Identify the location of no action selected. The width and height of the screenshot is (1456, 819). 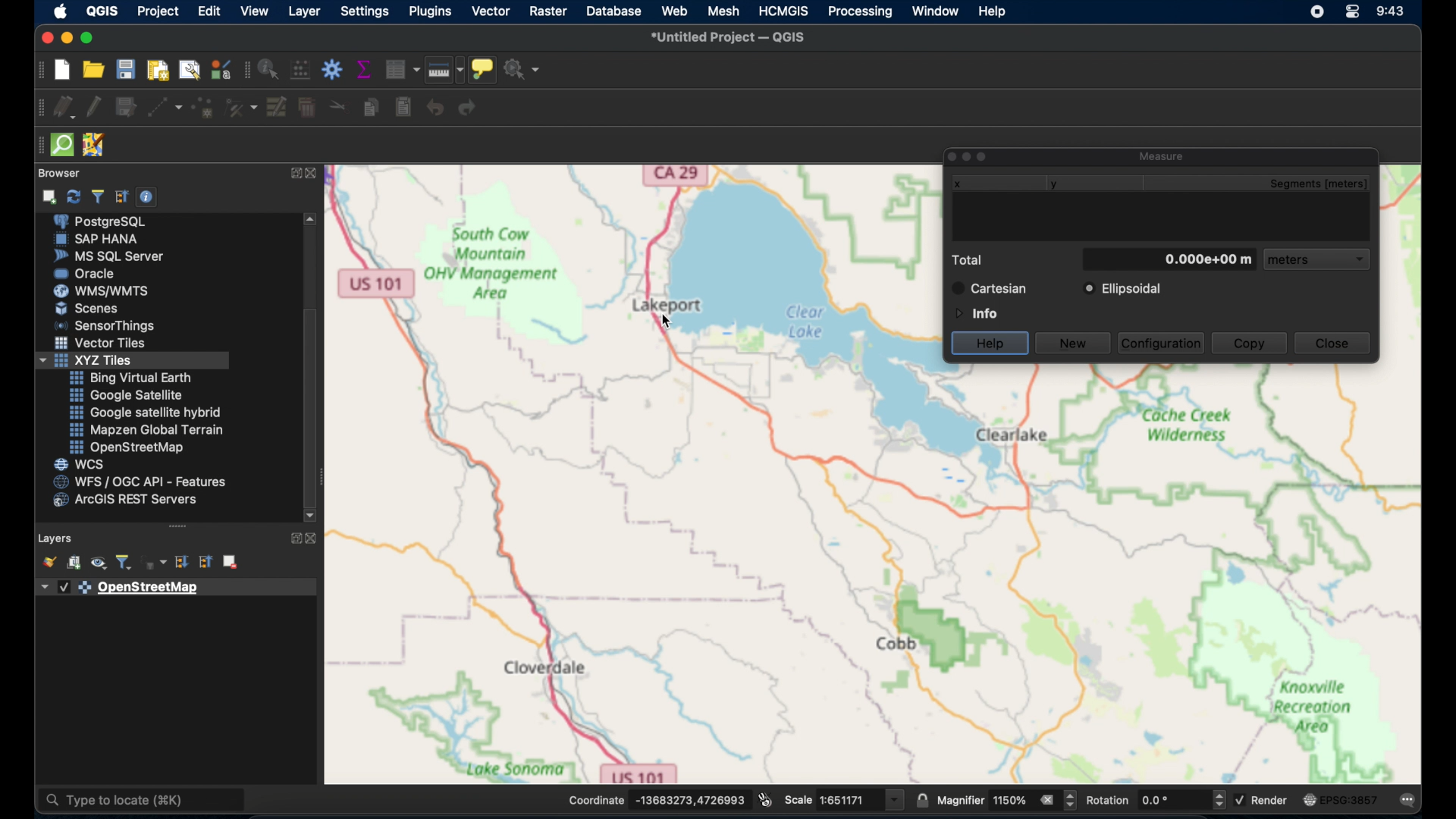
(524, 69).